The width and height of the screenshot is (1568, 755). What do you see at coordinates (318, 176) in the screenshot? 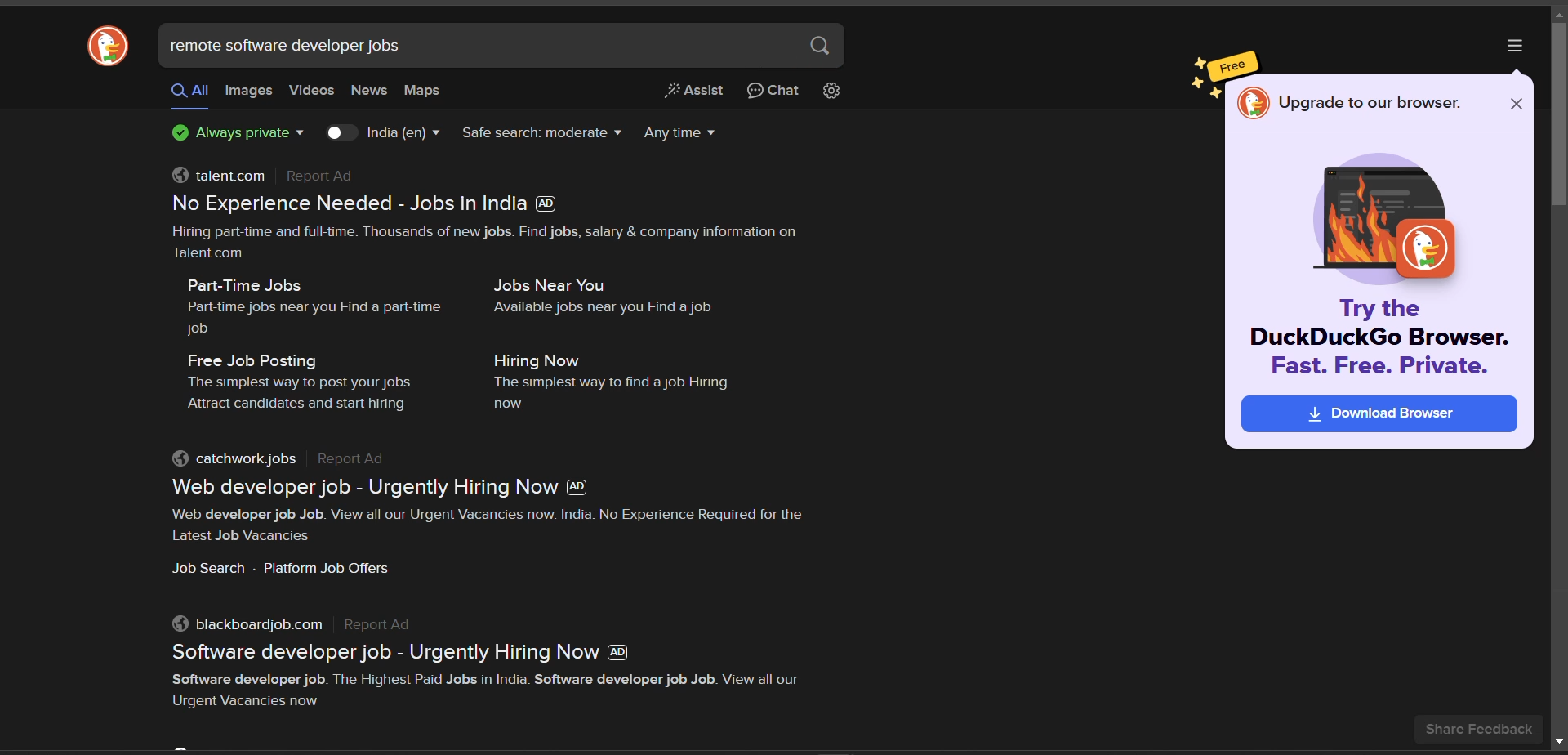
I see `Report Ad` at bounding box center [318, 176].